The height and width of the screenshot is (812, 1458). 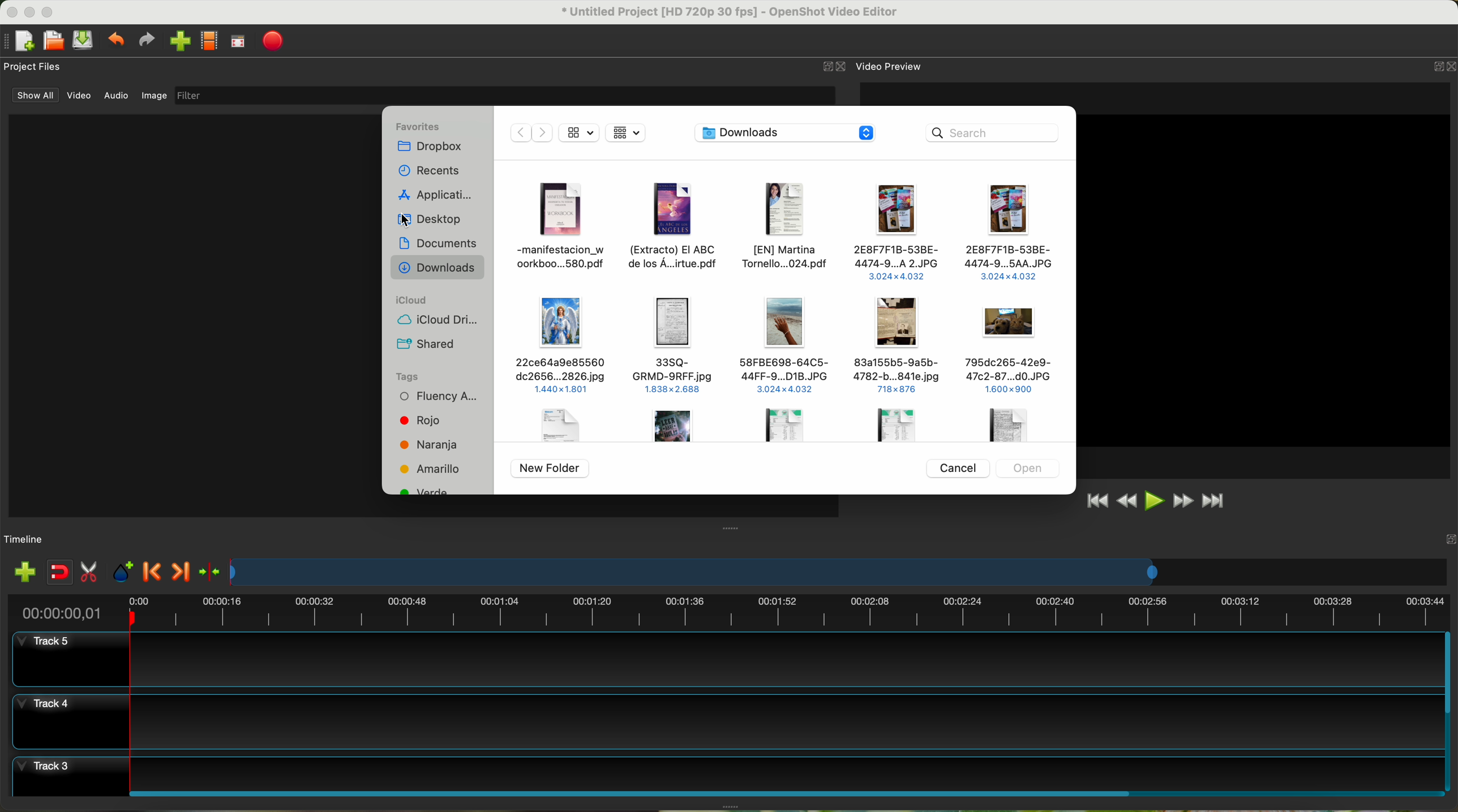 I want to click on next marker, so click(x=183, y=573).